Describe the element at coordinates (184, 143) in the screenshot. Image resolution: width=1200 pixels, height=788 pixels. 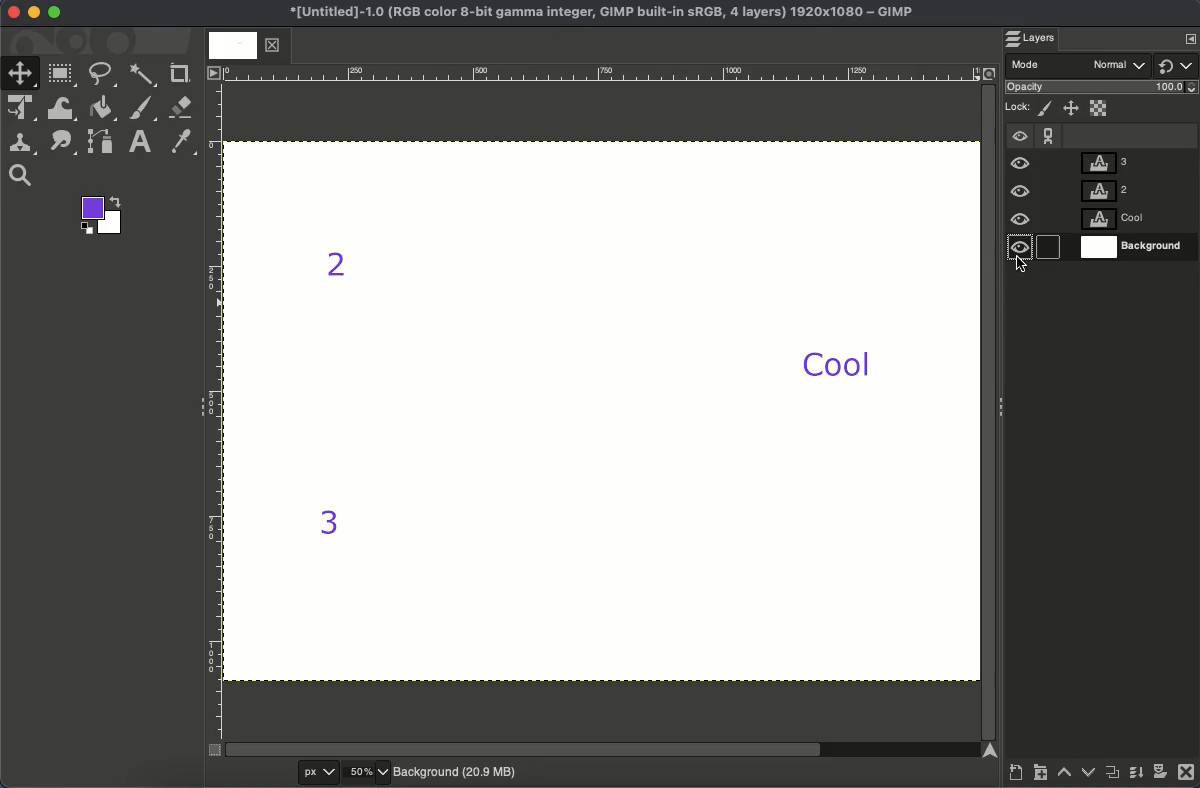
I see `Color picker` at that location.